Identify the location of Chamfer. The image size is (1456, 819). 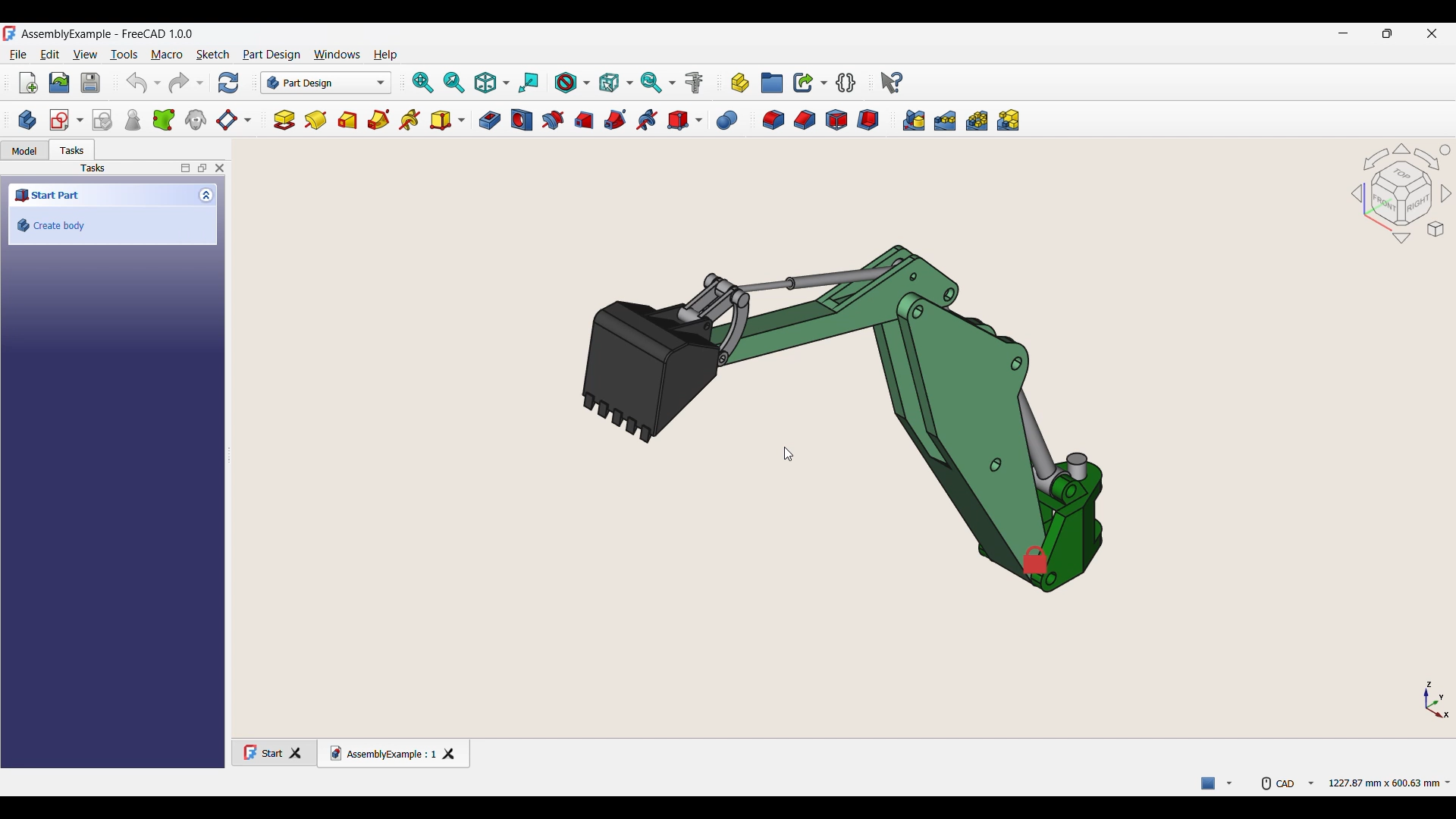
(805, 120).